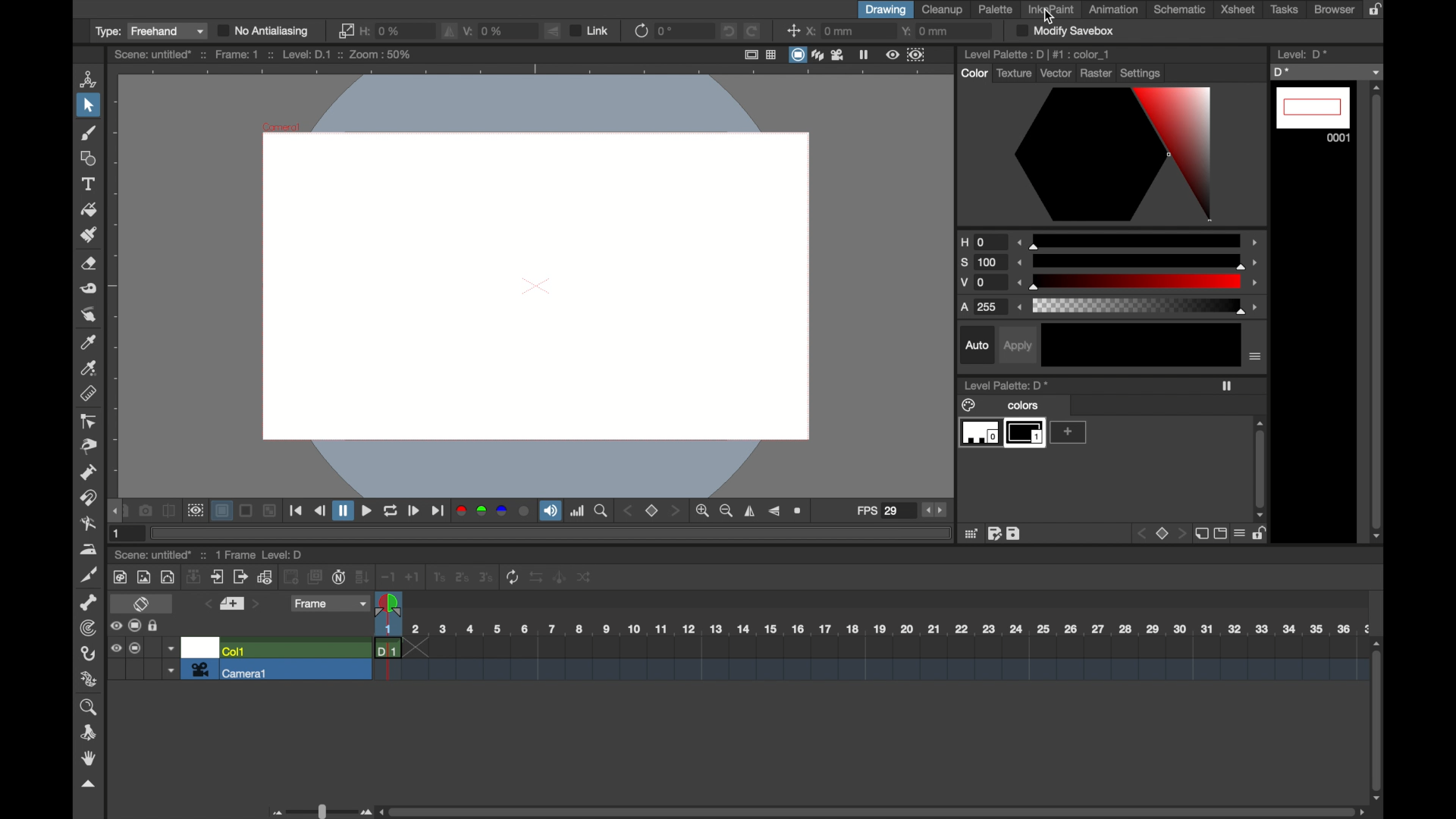 The height and width of the screenshot is (819, 1456). Describe the element at coordinates (231, 604) in the screenshot. I see `set` at that location.